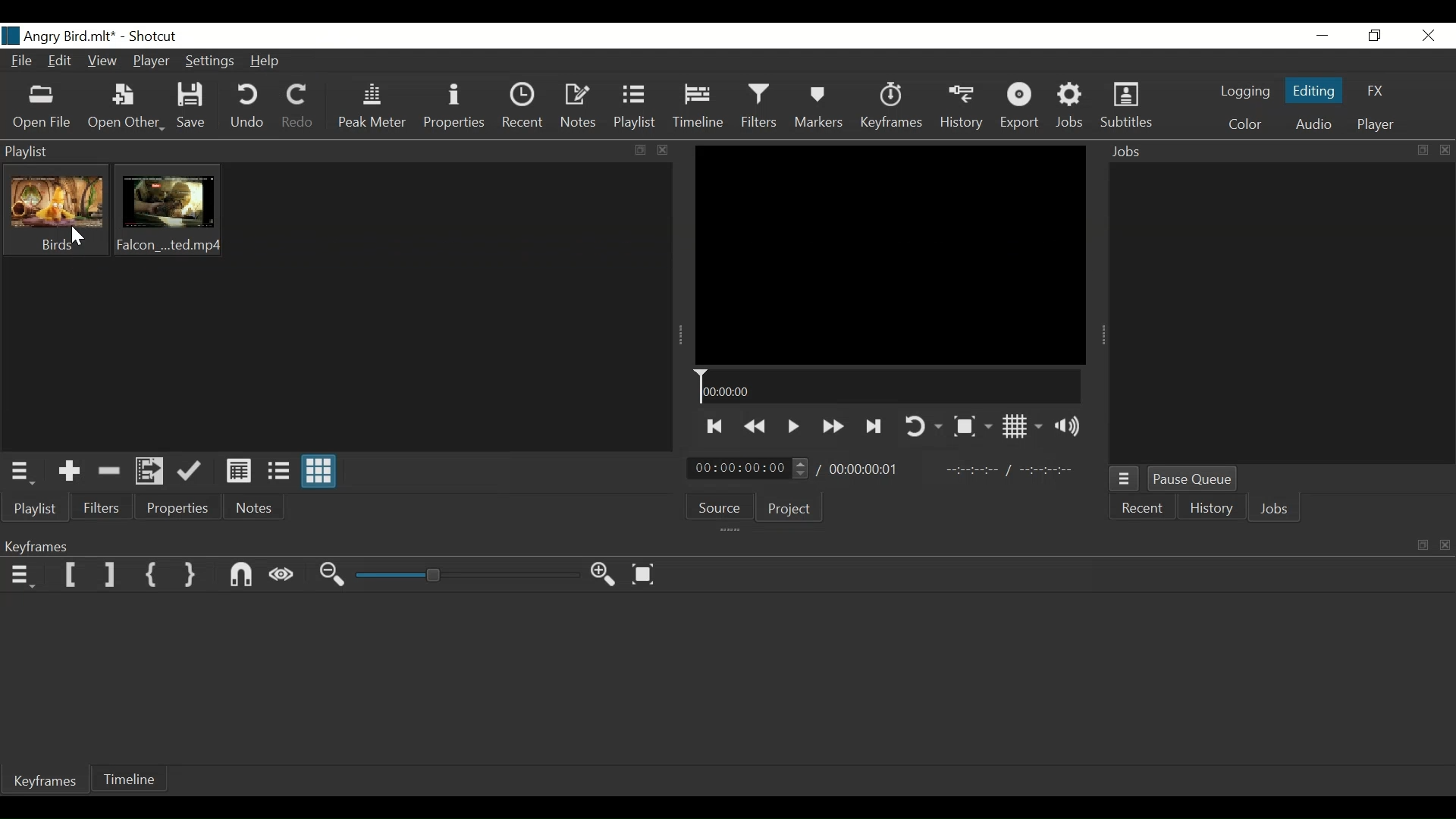 The width and height of the screenshot is (1456, 819). Describe the element at coordinates (104, 61) in the screenshot. I see `View` at that location.